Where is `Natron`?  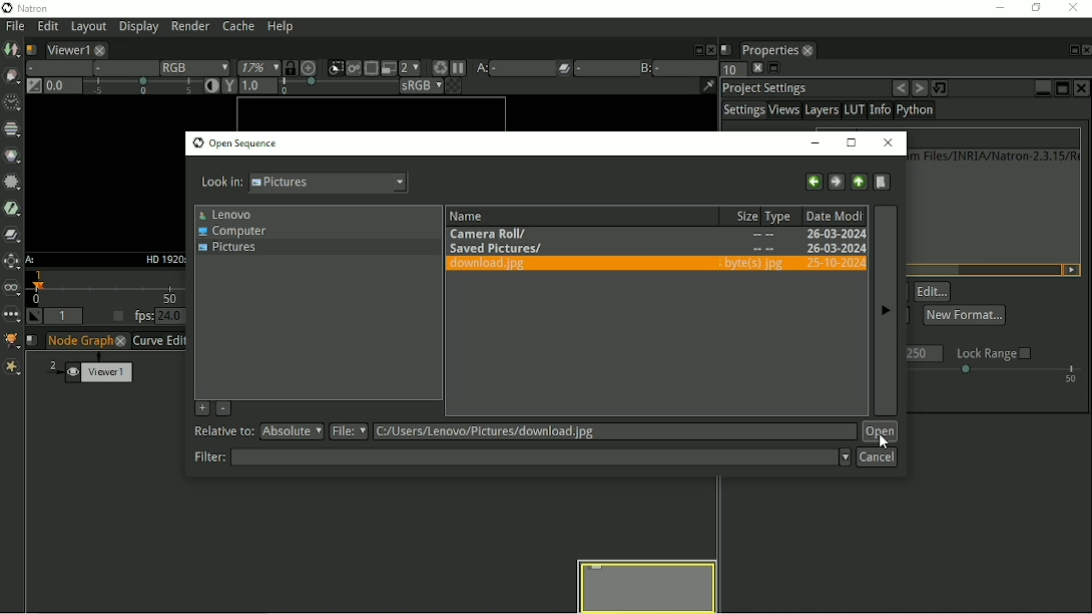 Natron is located at coordinates (30, 8).